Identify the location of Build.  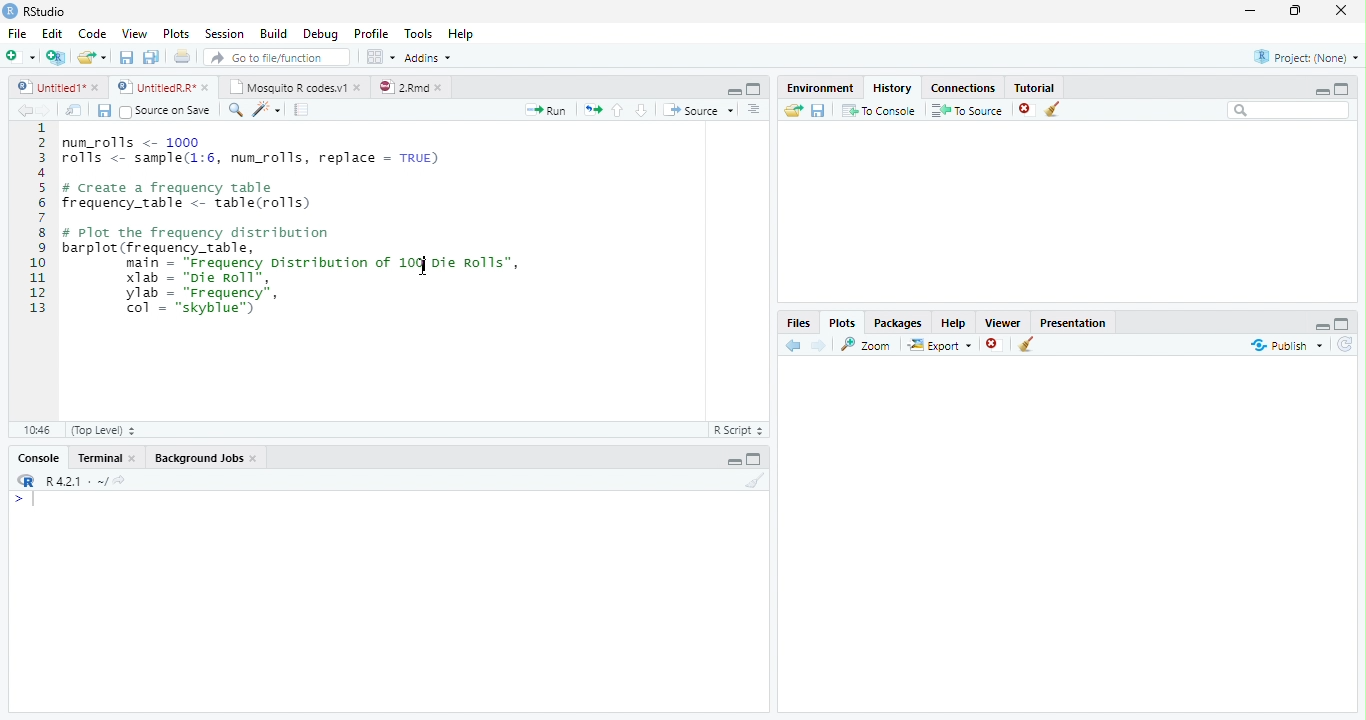
(275, 33).